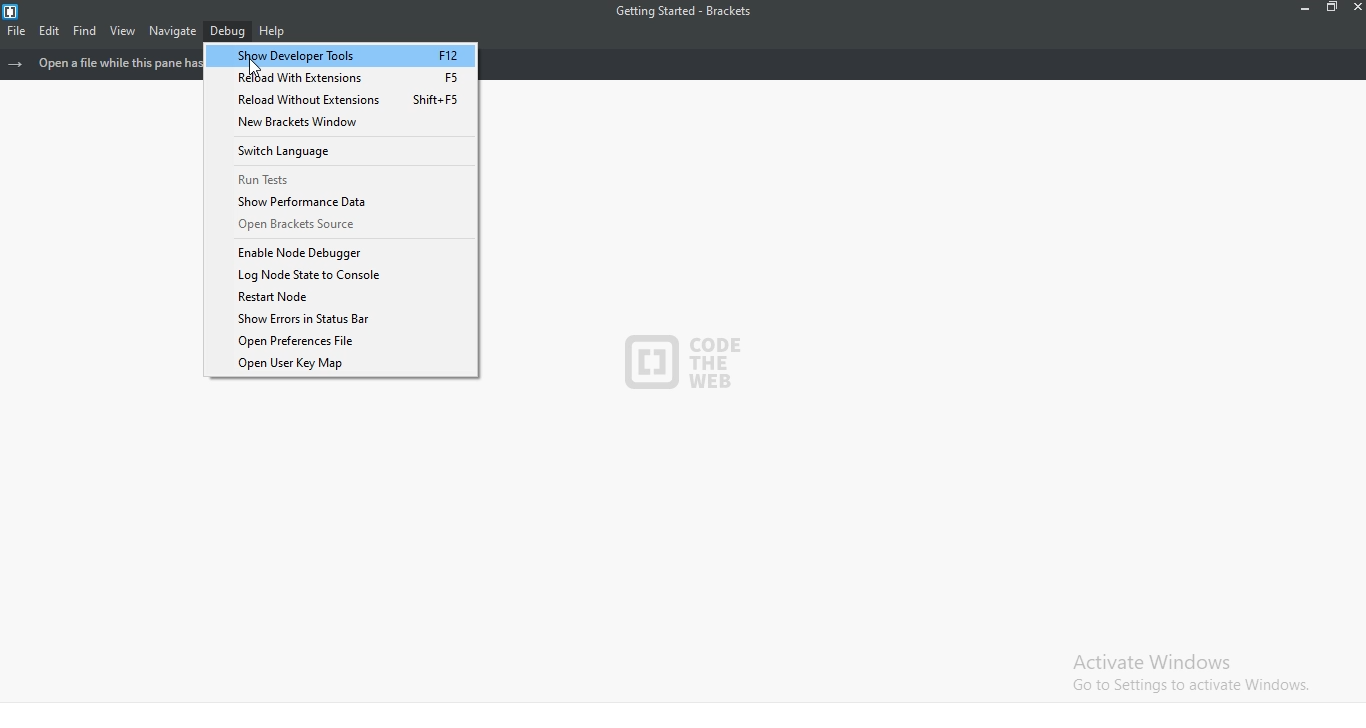  What do you see at coordinates (676, 355) in the screenshot?
I see `logo` at bounding box center [676, 355].